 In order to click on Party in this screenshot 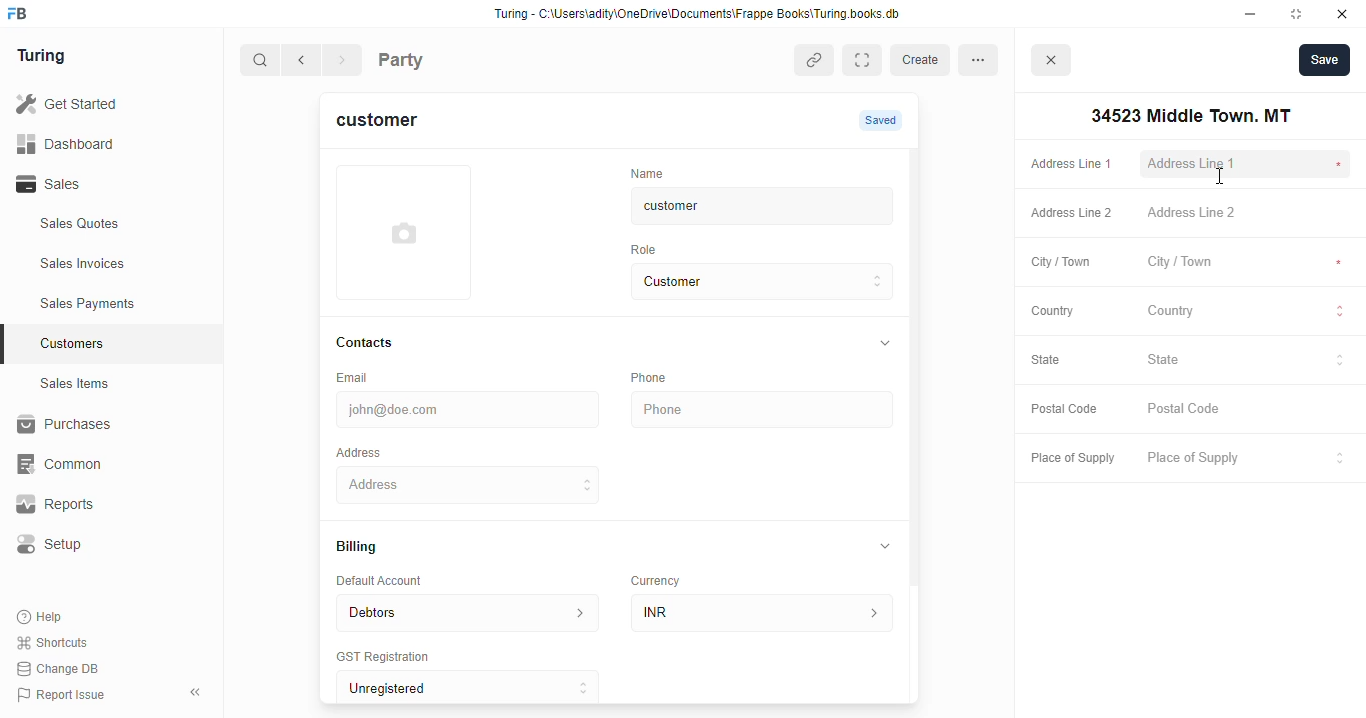, I will do `click(442, 58)`.